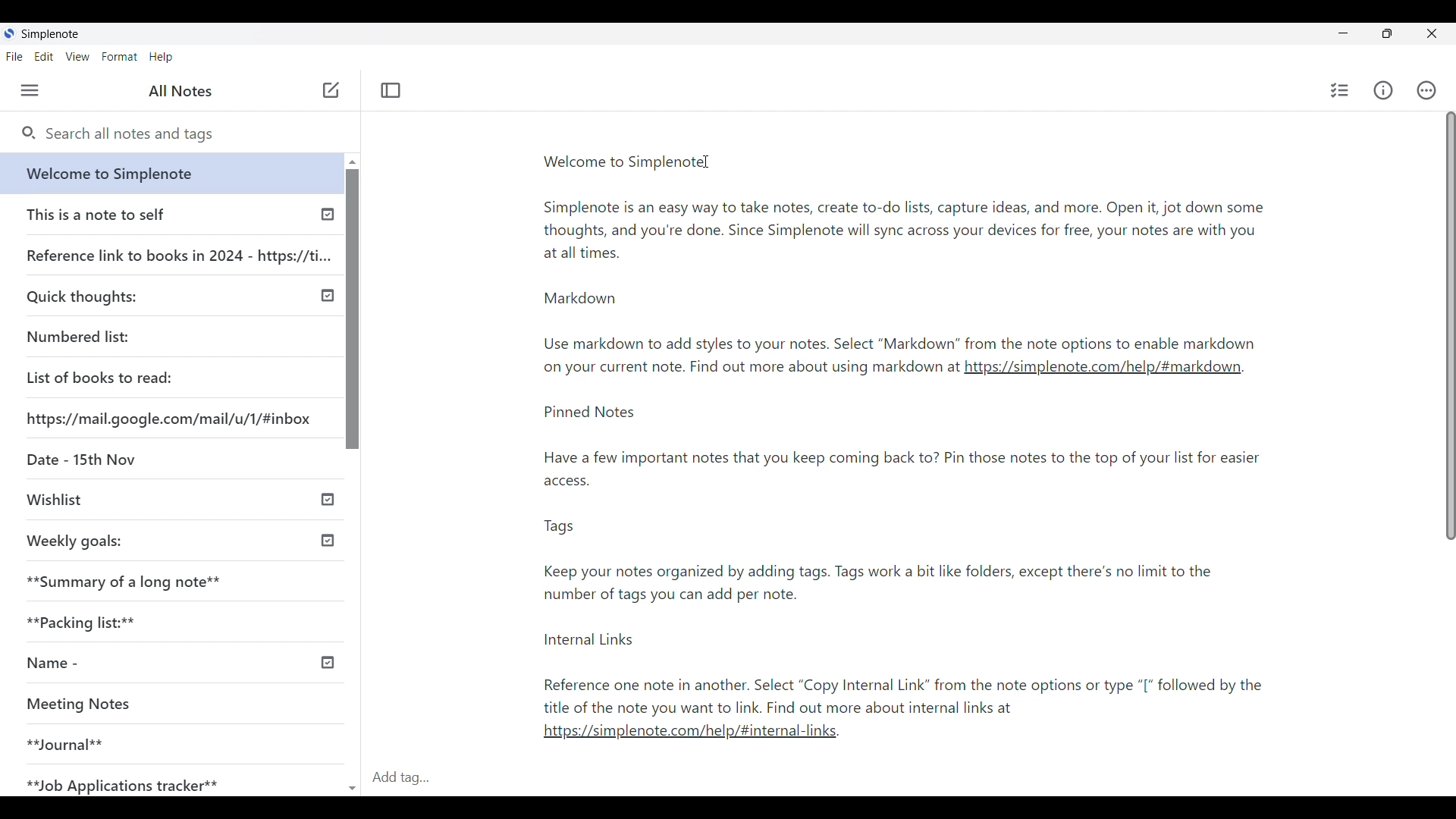  What do you see at coordinates (82, 297) in the screenshot?
I see `Quick thoughts` at bounding box center [82, 297].